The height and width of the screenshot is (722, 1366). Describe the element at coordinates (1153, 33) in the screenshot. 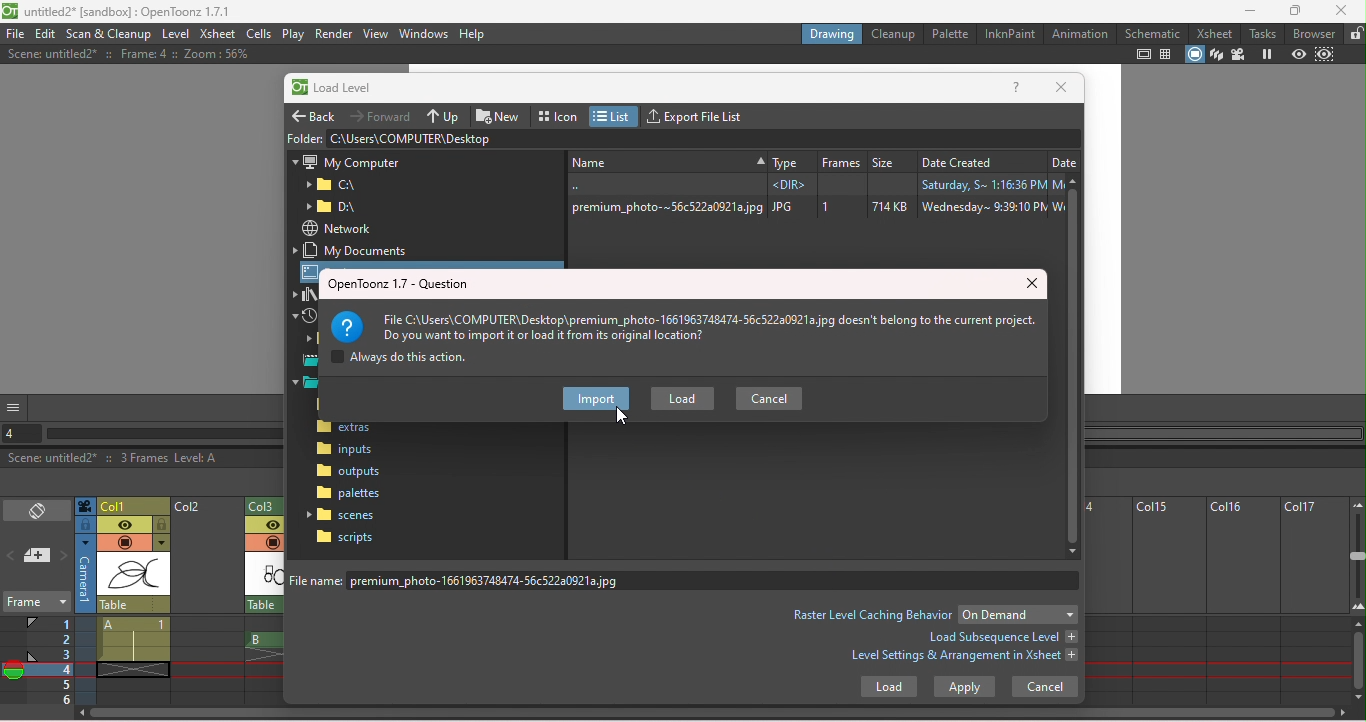

I see `Schematic` at that location.